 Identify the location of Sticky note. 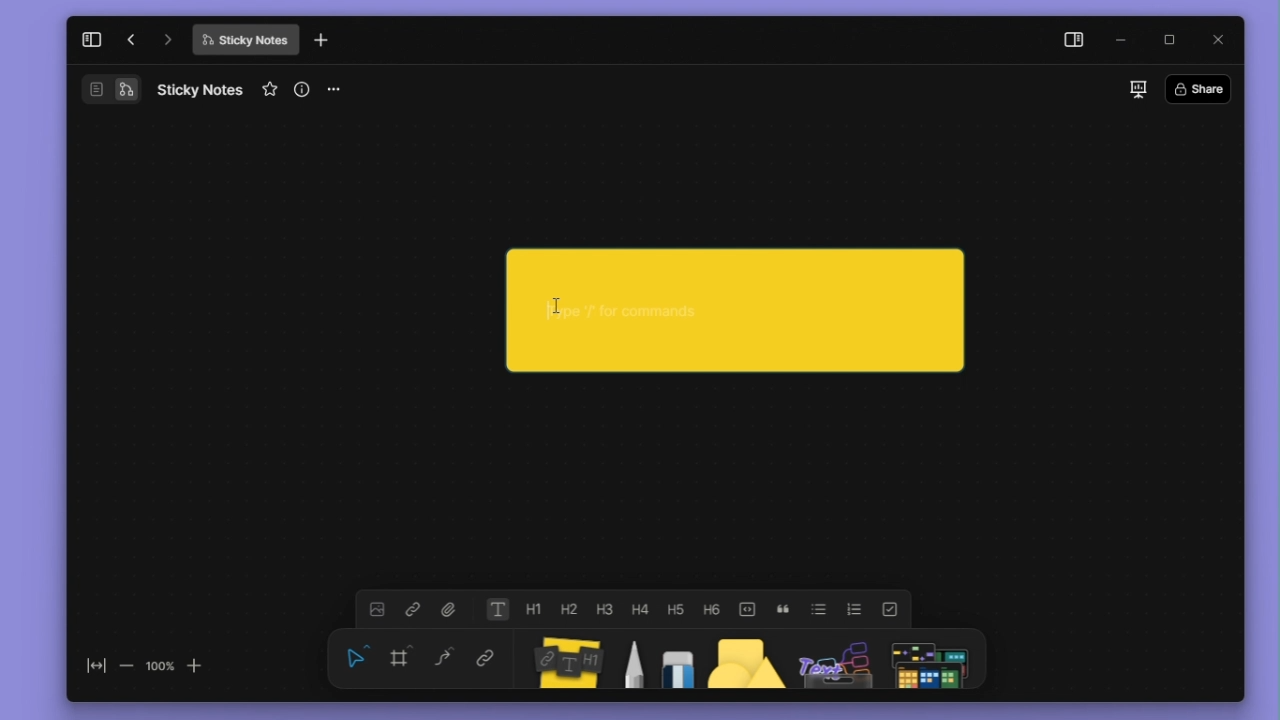
(725, 313).